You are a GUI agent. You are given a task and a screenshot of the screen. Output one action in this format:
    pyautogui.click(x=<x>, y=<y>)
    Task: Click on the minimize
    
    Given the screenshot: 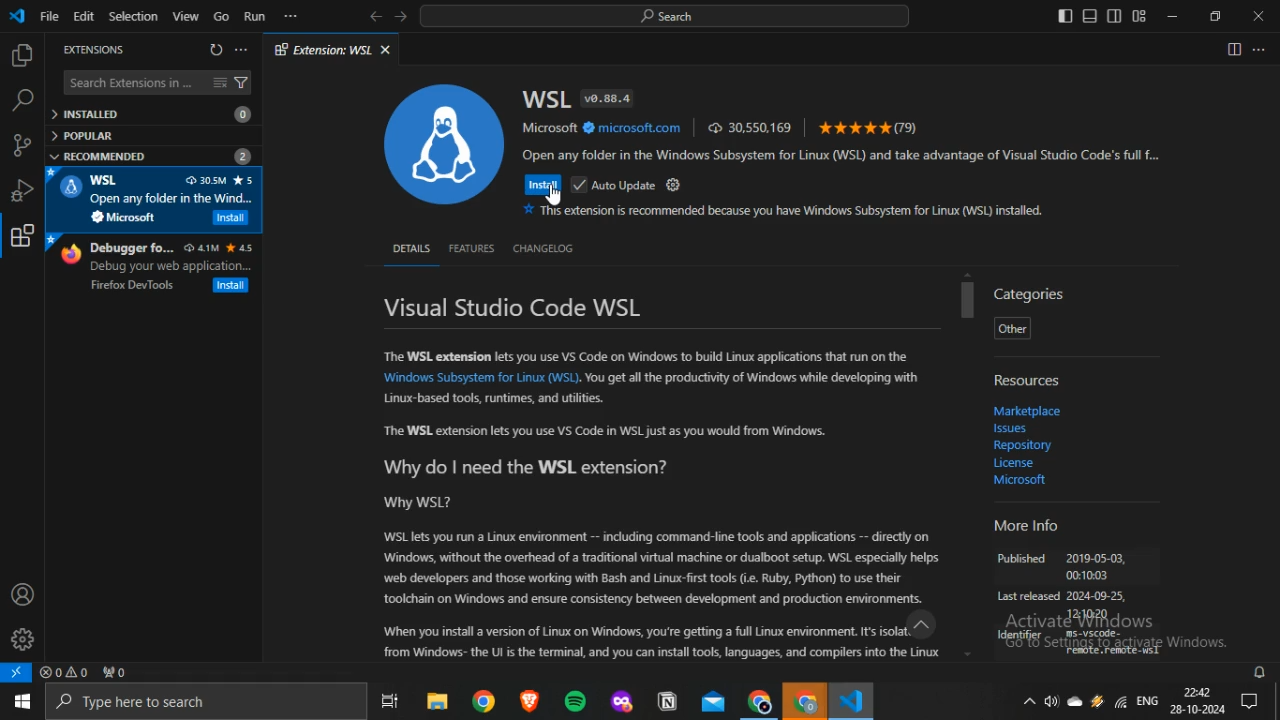 What is the action you would take?
    pyautogui.click(x=1172, y=16)
    